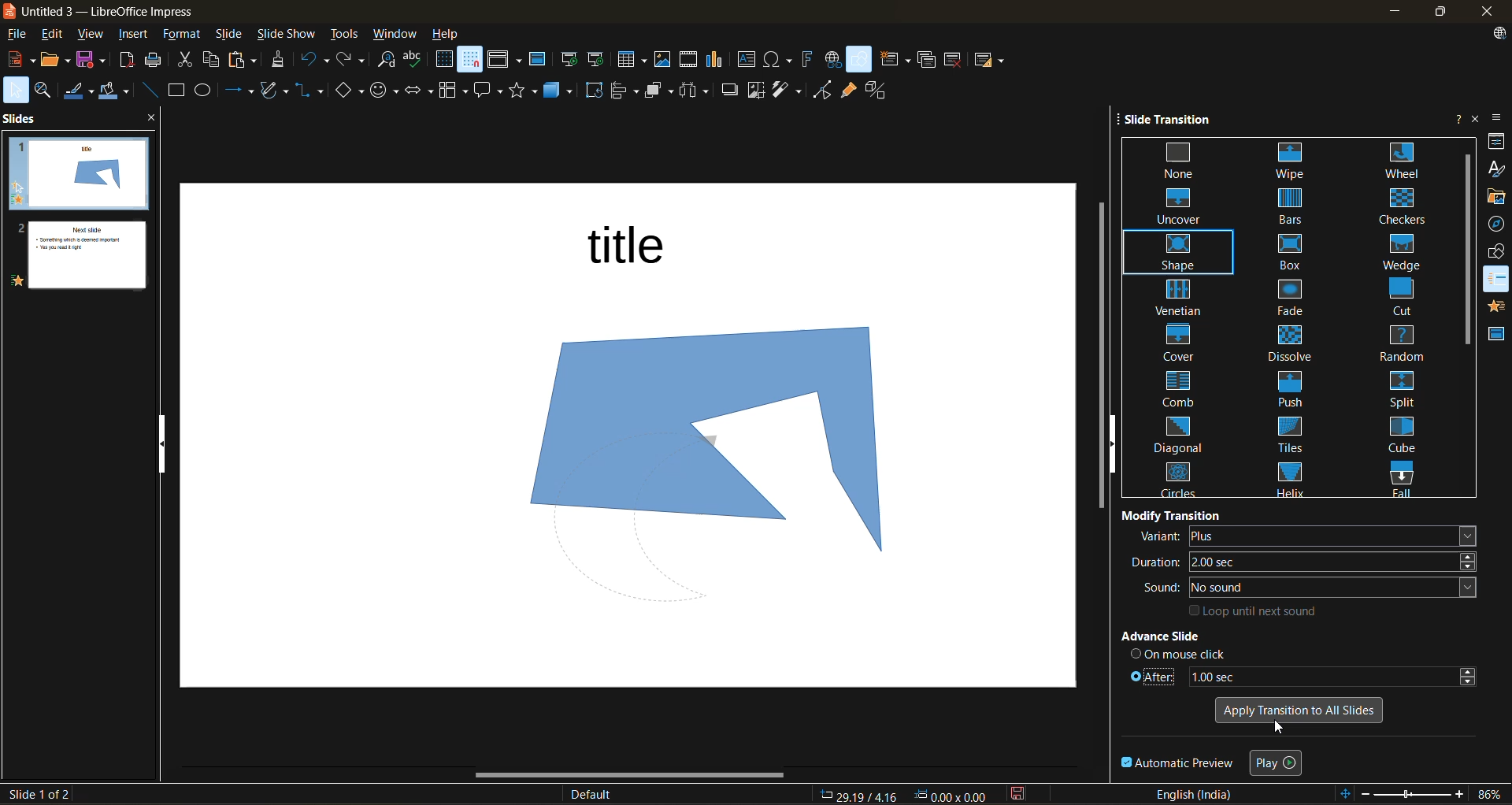 This screenshot has width=1512, height=805. Describe the element at coordinates (418, 58) in the screenshot. I see `spelling ` at that location.